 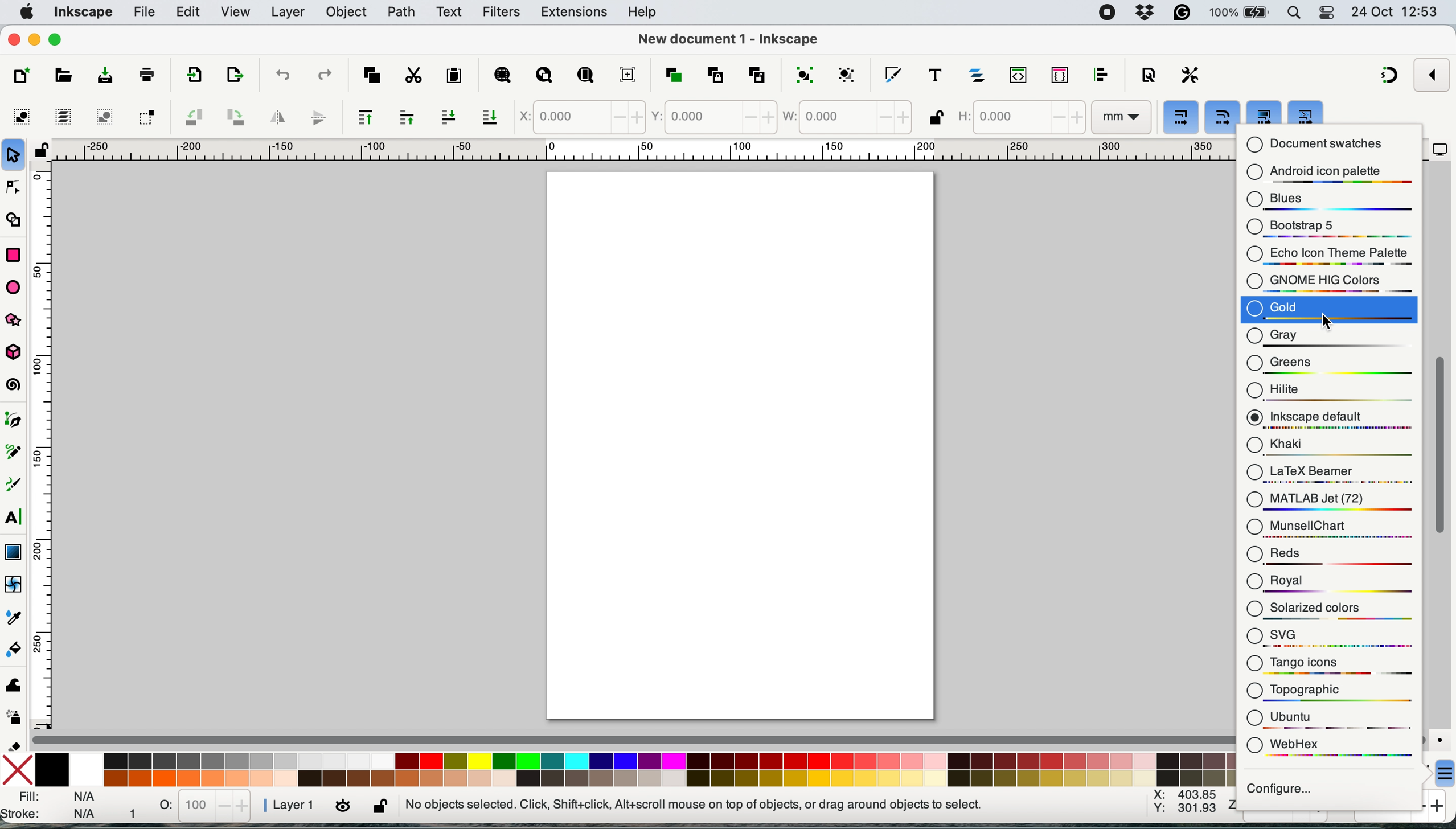 I want to click on royal, so click(x=1328, y=580).